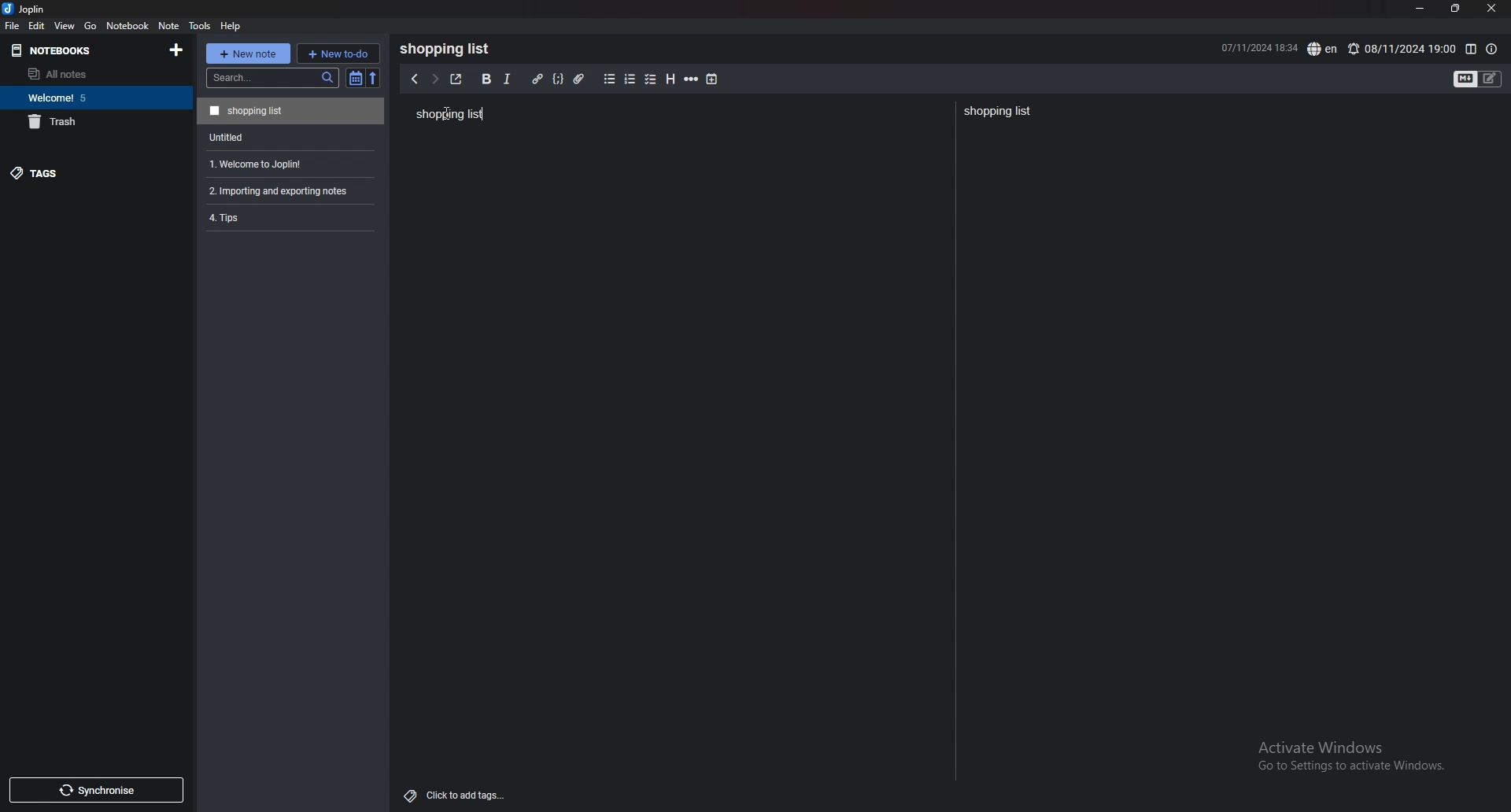 This screenshot has height=812, width=1511. What do you see at coordinates (356, 78) in the screenshot?
I see `toggle sort order` at bounding box center [356, 78].